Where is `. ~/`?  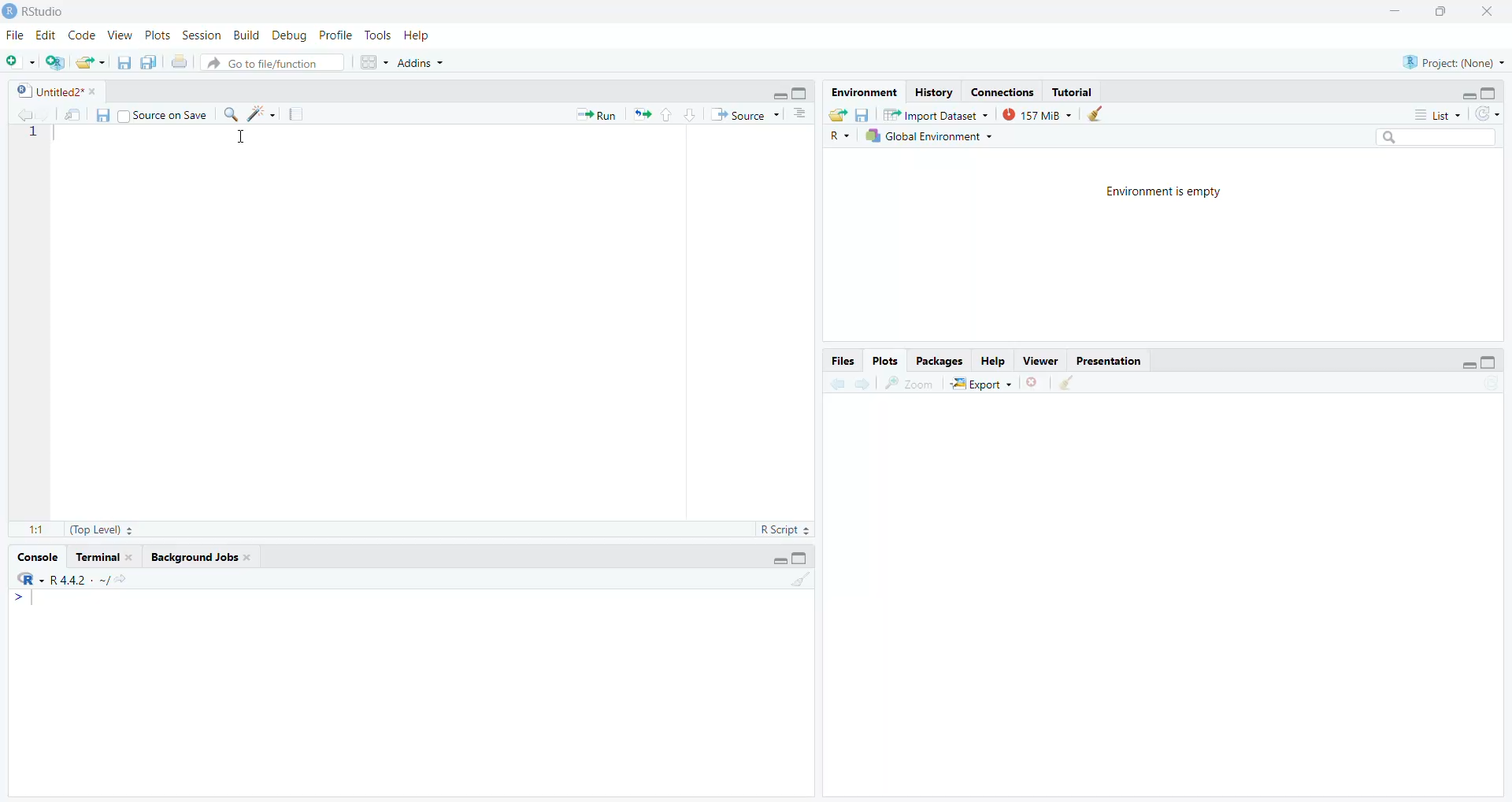
. ~/ is located at coordinates (101, 578).